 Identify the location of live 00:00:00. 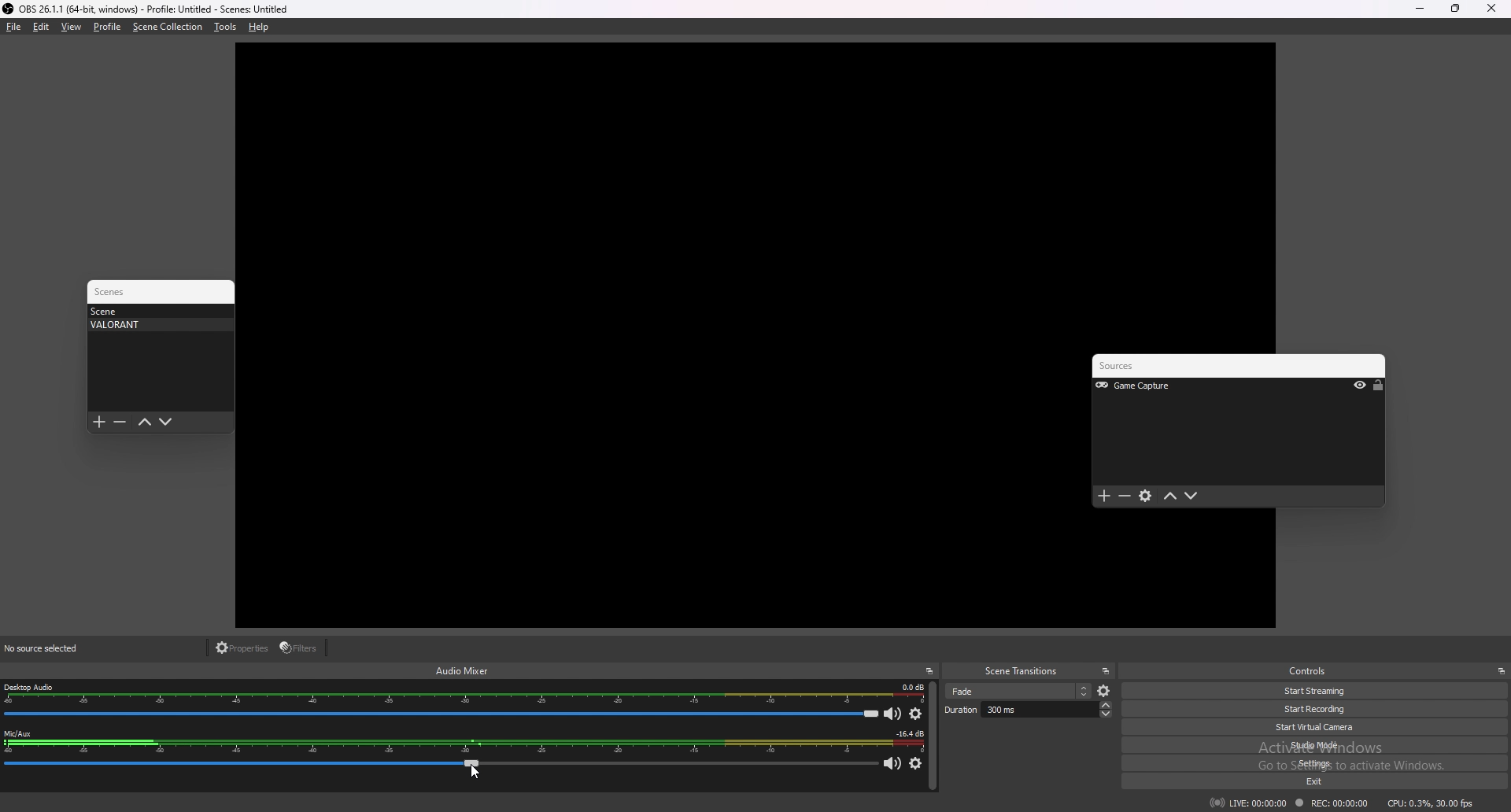
(1248, 803).